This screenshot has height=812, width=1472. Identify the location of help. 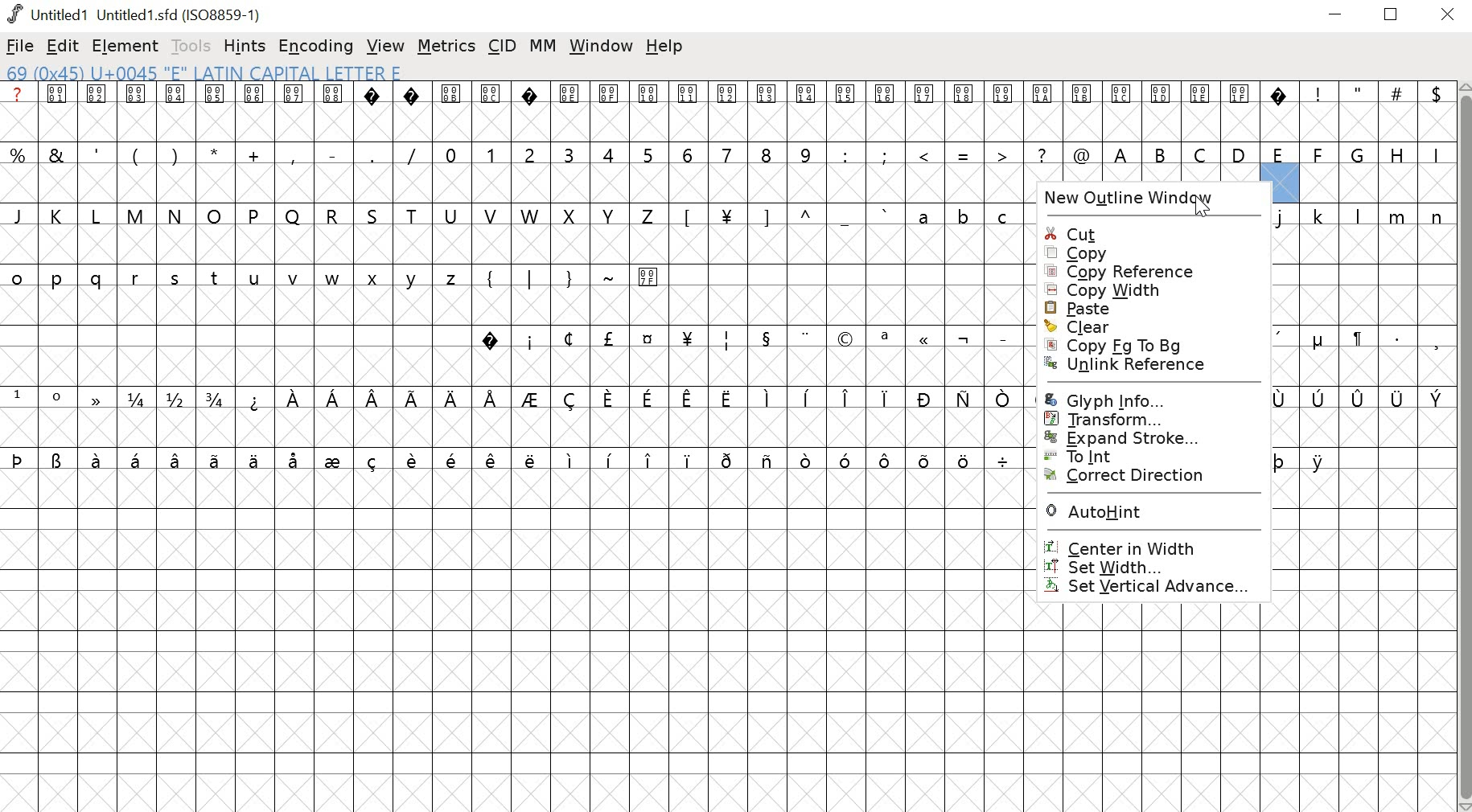
(664, 47).